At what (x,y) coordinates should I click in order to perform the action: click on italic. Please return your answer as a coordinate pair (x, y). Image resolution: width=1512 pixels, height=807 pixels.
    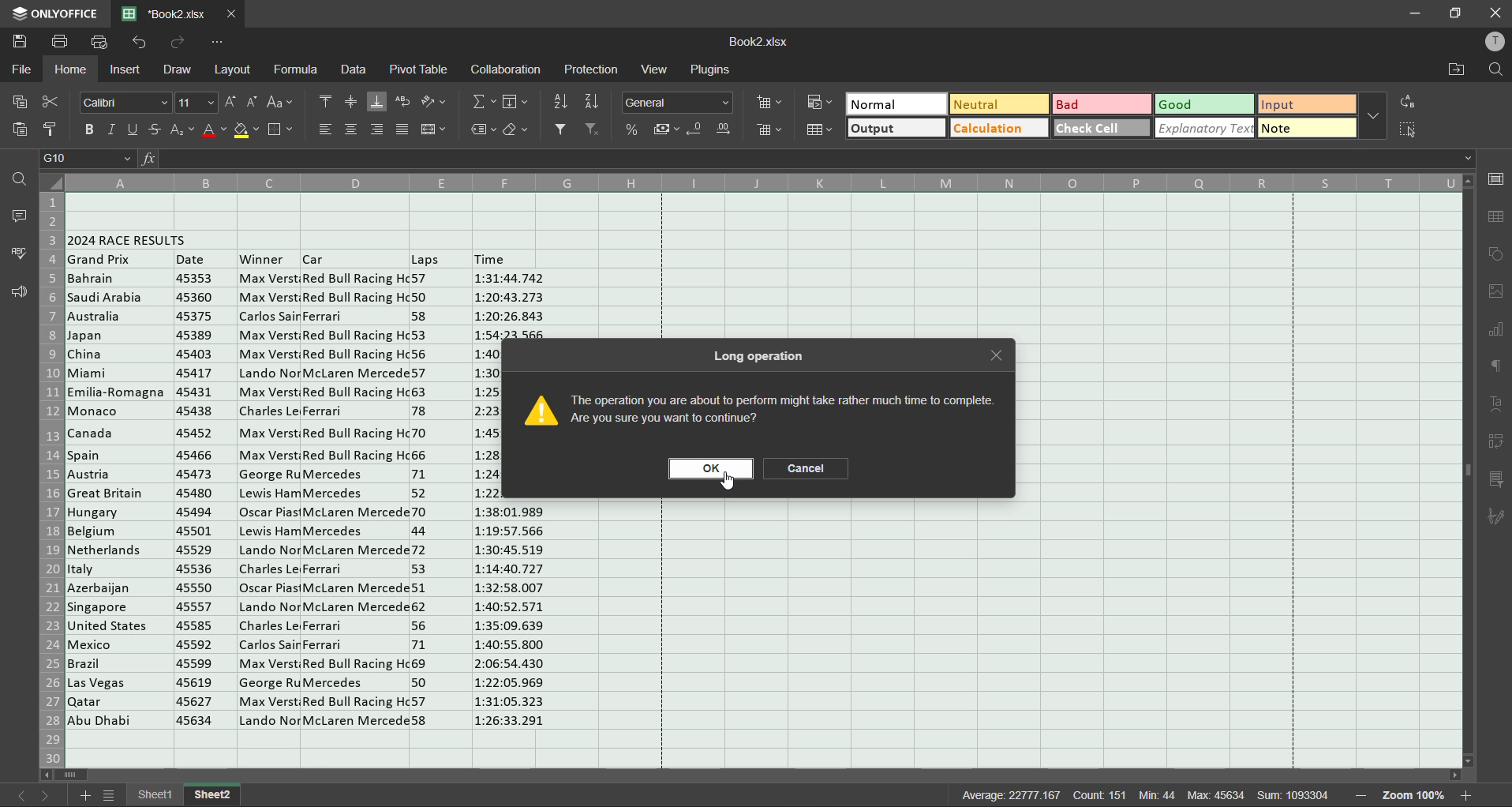
    Looking at the image, I should click on (113, 130).